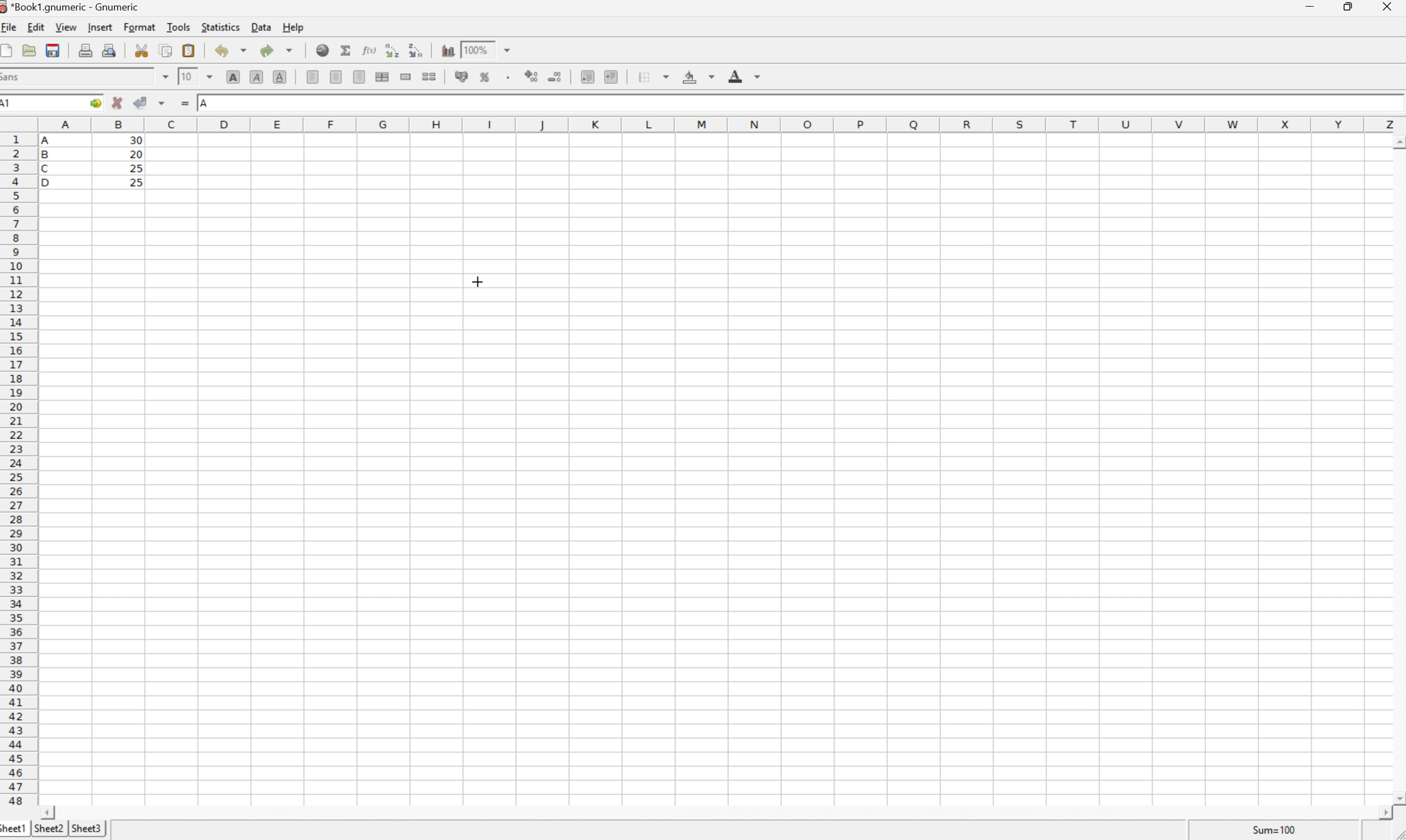 The image size is (1406, 840). What do you see at coordinates (1397, 797) in the screenshot?
I see `Scroll Down` at bounding box center [1397, 797].